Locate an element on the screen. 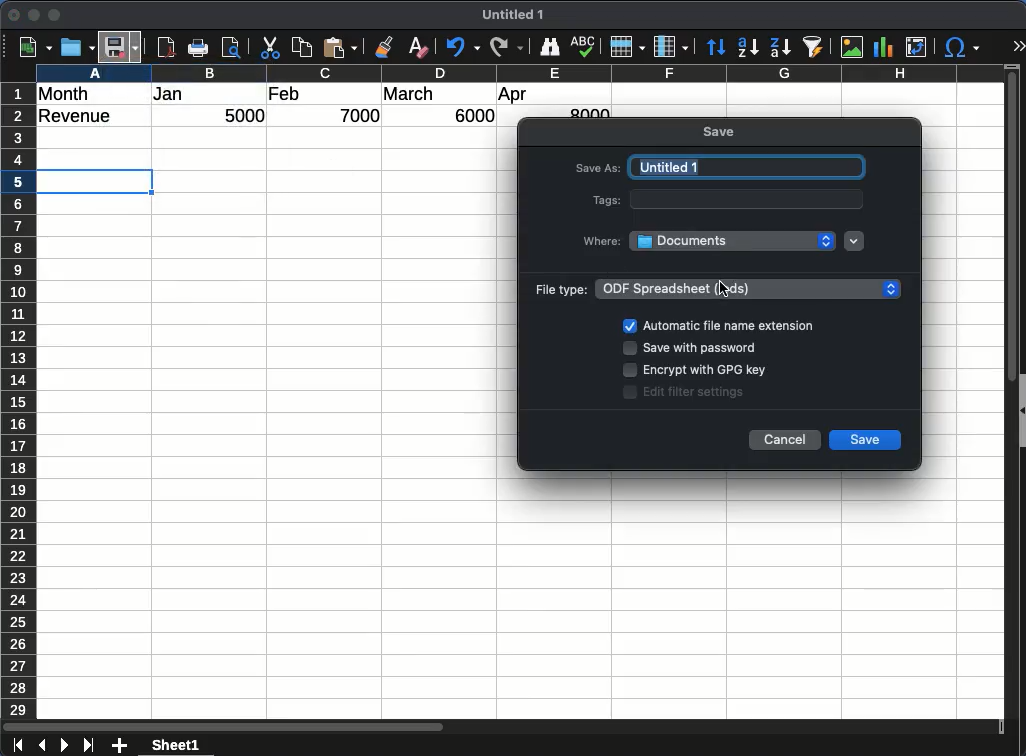 The height and width of the screenshot is (756, 1026). first sheet is located at coordinates (16, 746).